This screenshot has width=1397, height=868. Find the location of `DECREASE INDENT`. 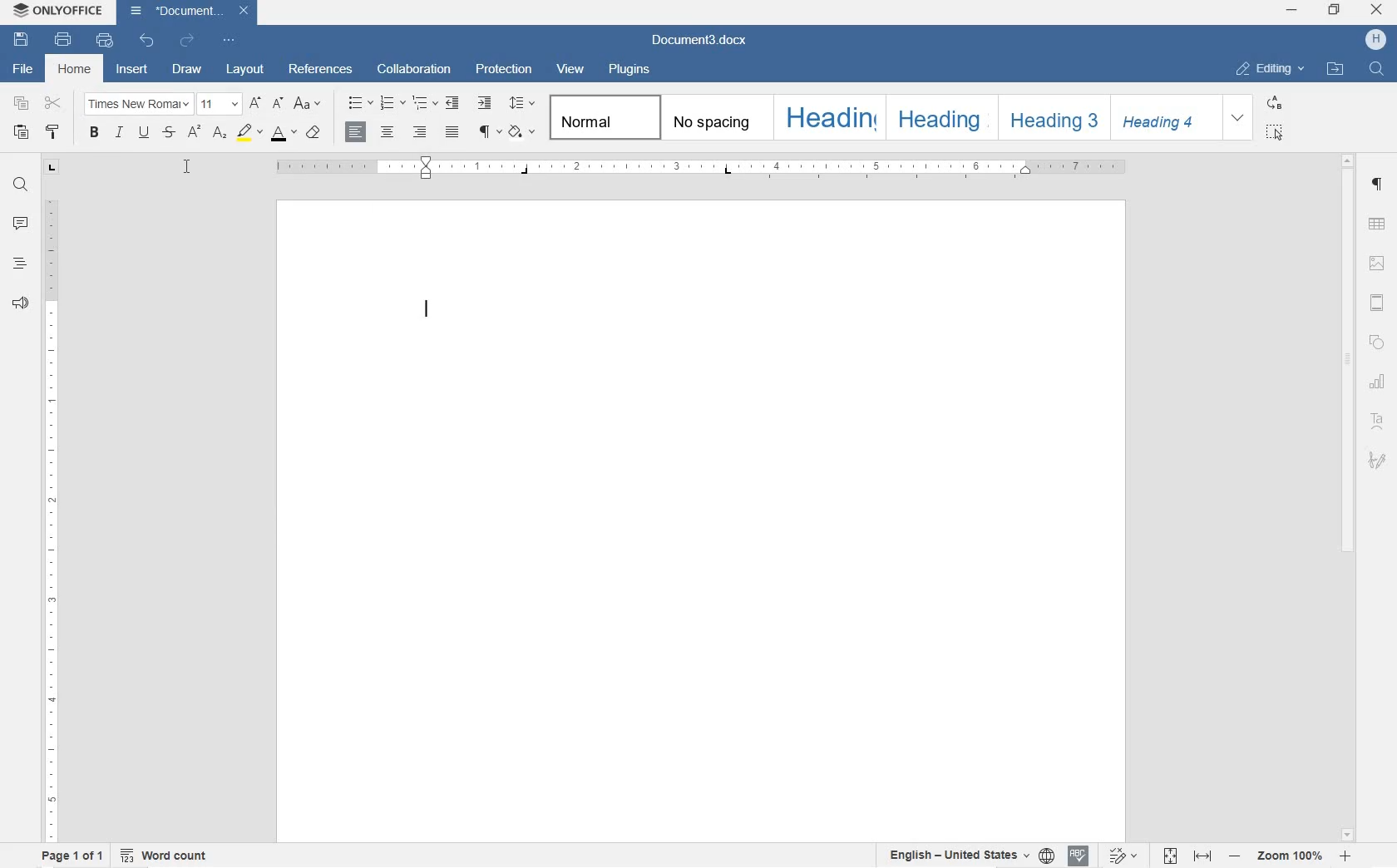

DECREASE INDENT is located at coordinates (452, 104).